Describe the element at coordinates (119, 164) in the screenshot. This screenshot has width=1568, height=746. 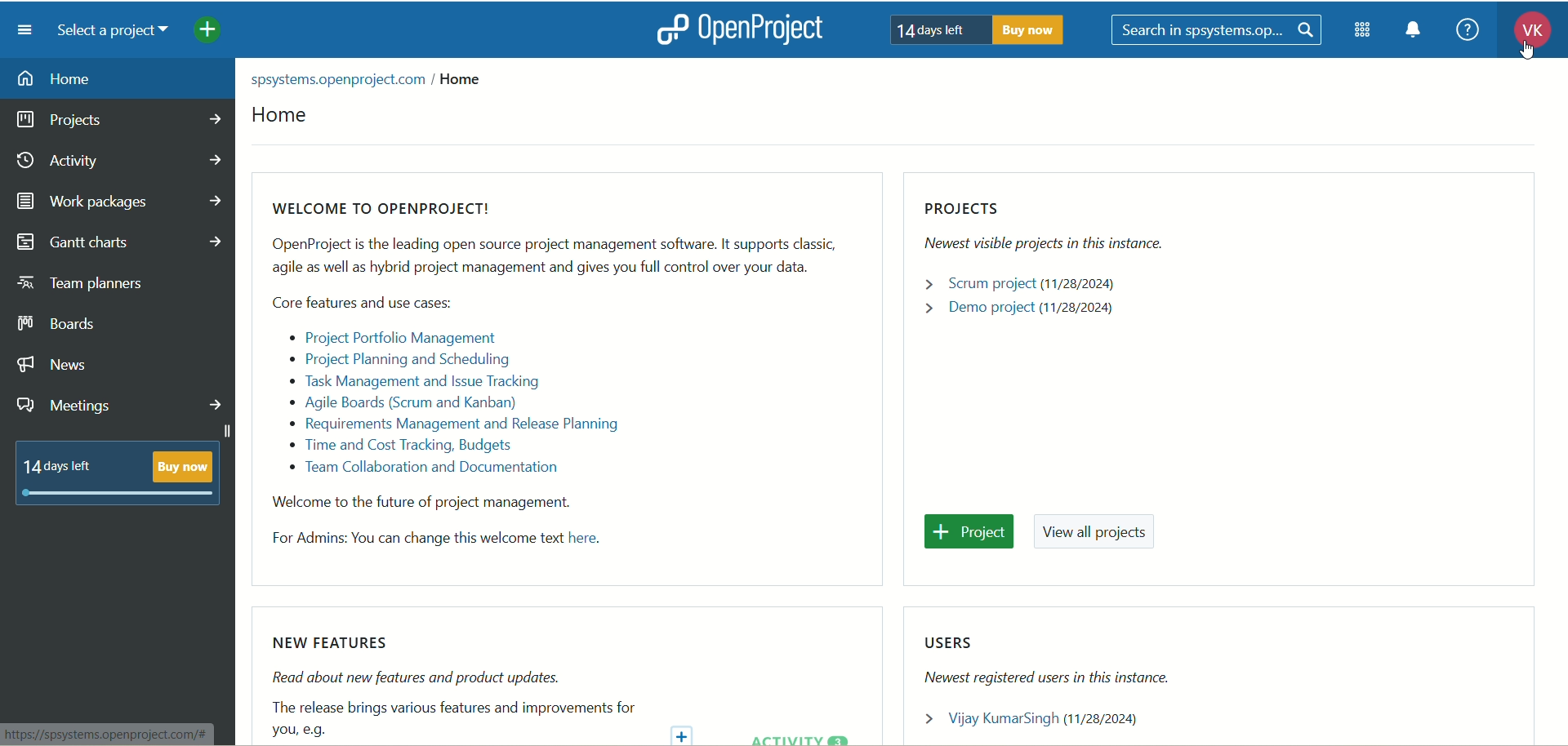
I see `activity` at that location.